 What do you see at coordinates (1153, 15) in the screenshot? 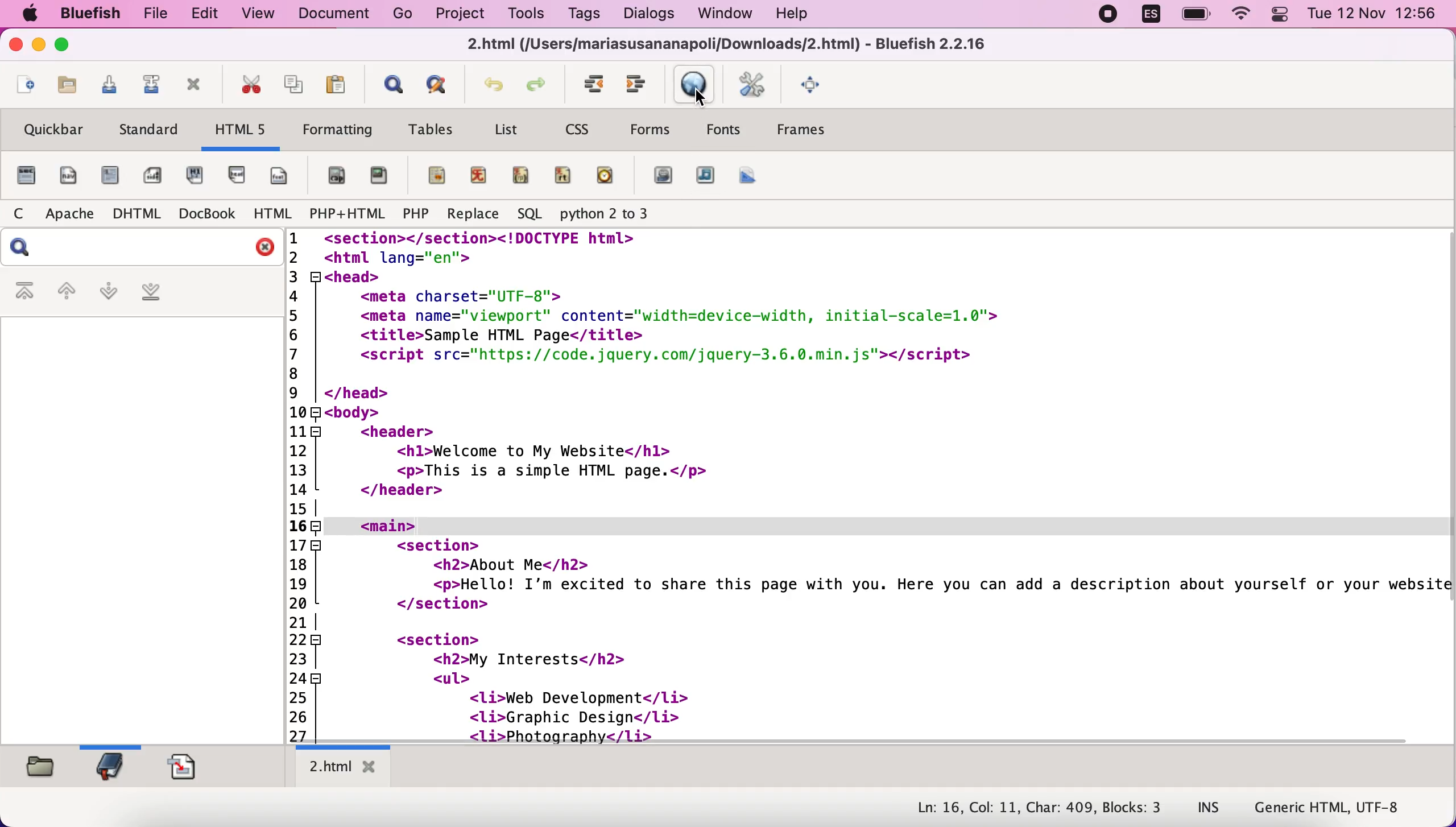
I see `language` at bounding box center [1153, 15].